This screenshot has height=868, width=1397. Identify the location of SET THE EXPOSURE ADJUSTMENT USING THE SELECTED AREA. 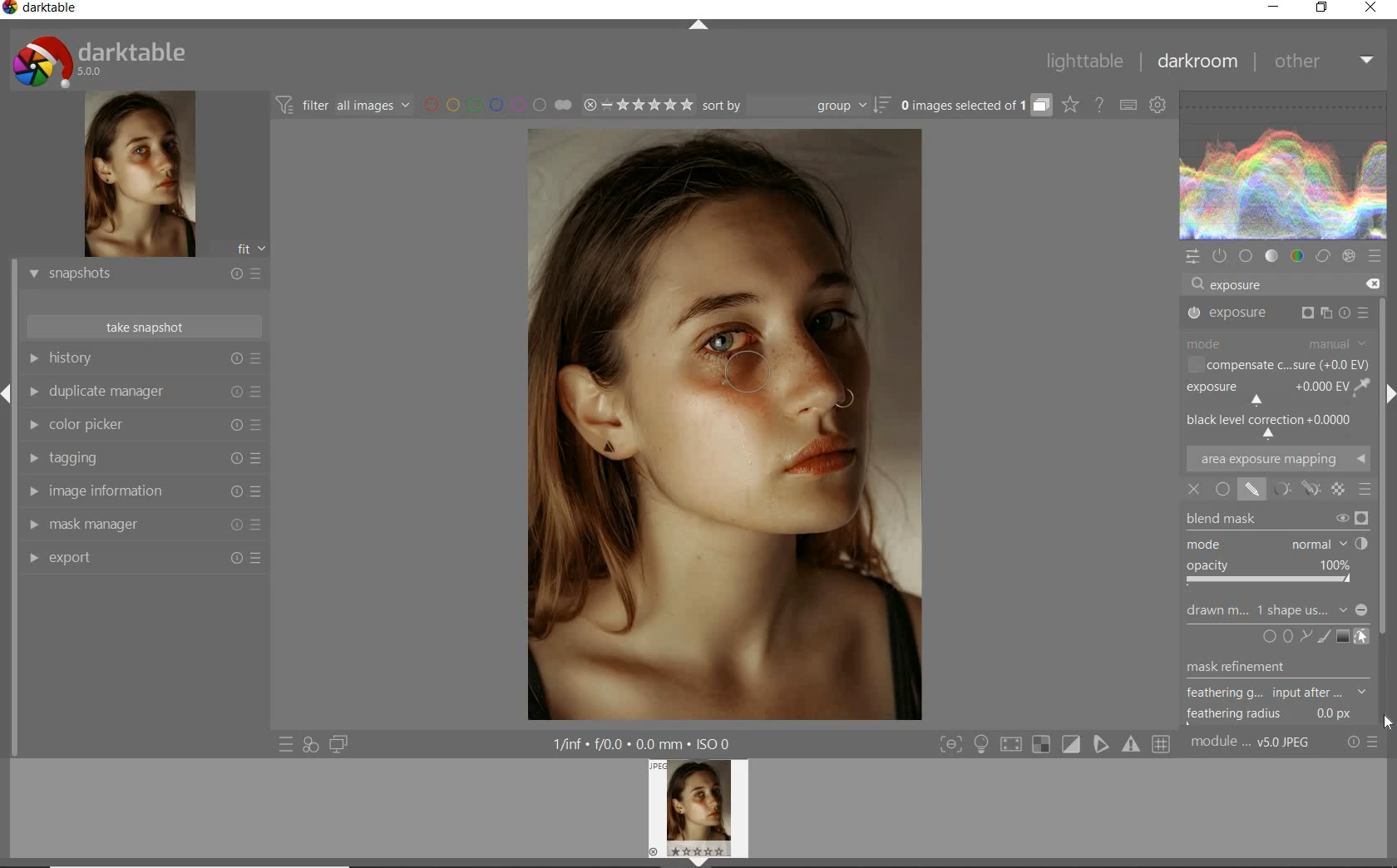
(1360, 387).